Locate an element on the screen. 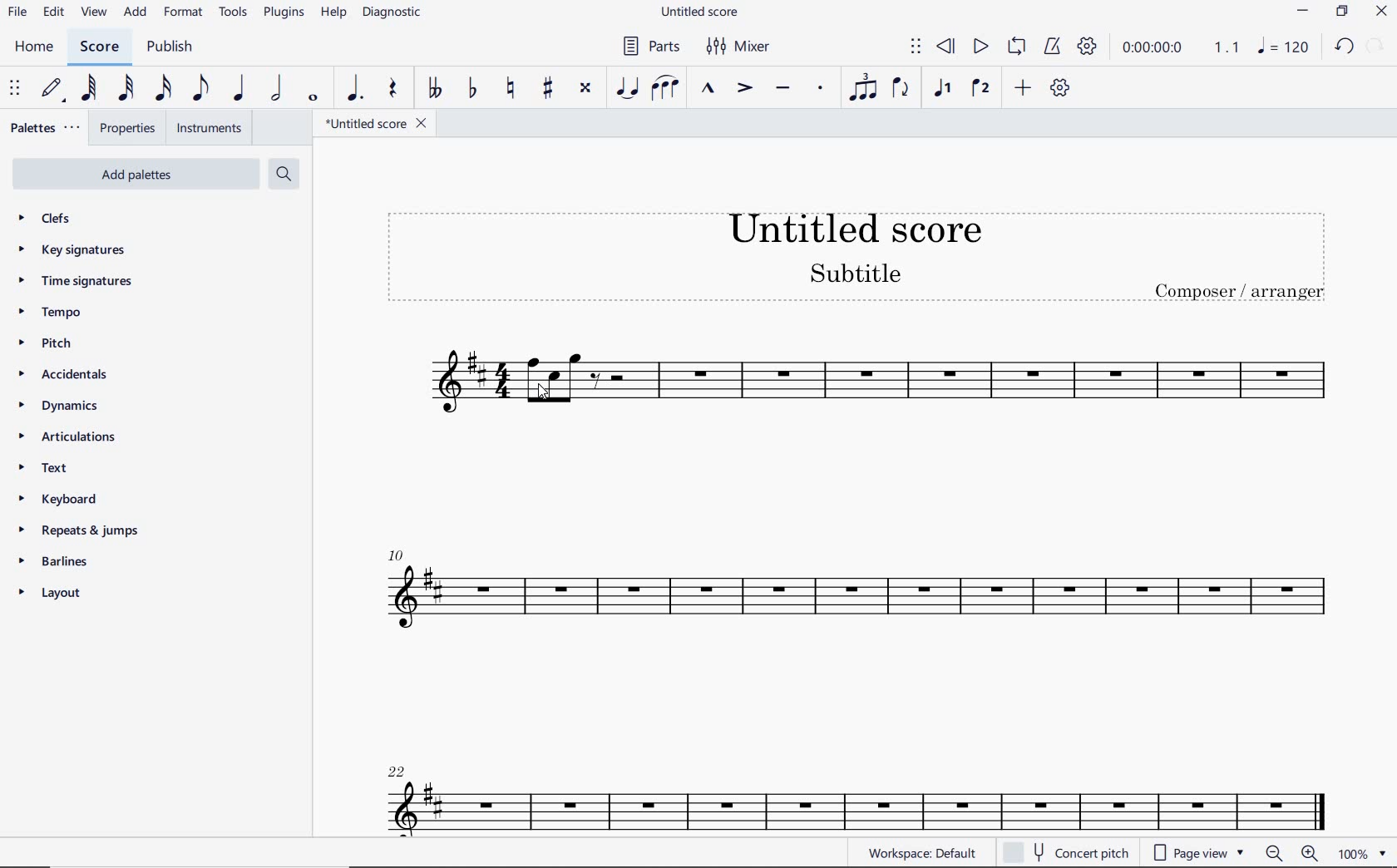 The height and width of the screenshot is (868, 1397). VIEW is located at coordinates (93, 13).